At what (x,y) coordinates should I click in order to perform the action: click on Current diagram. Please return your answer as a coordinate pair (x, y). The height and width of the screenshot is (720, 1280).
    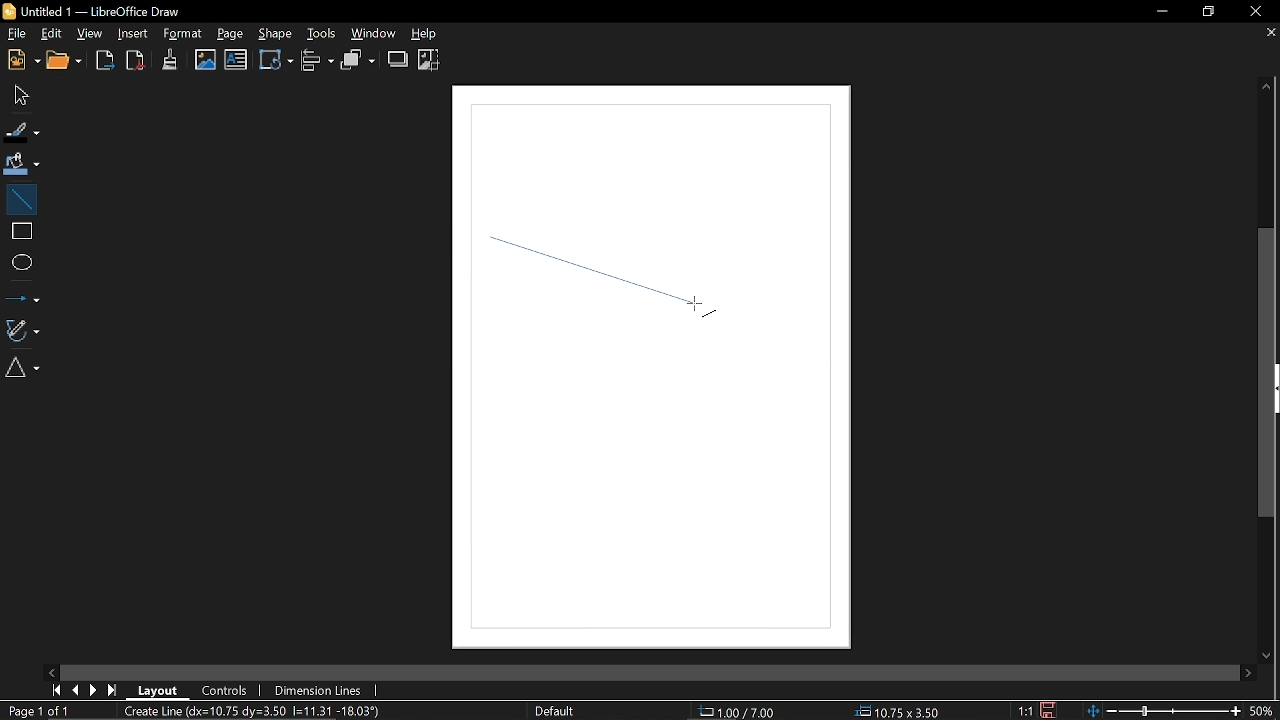
    Looking at the image, I should click on (258, 712).